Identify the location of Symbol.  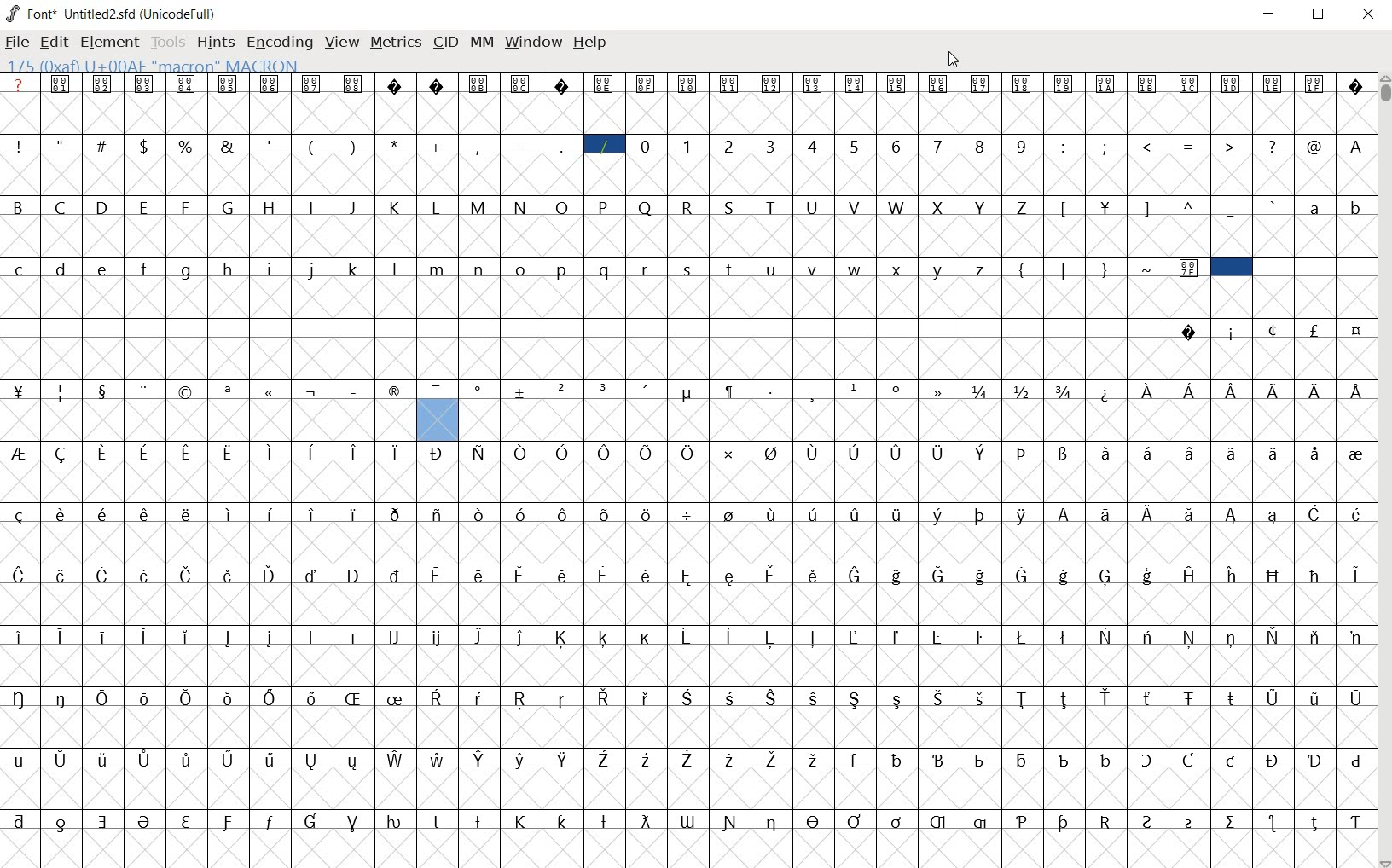
(1354, 83).